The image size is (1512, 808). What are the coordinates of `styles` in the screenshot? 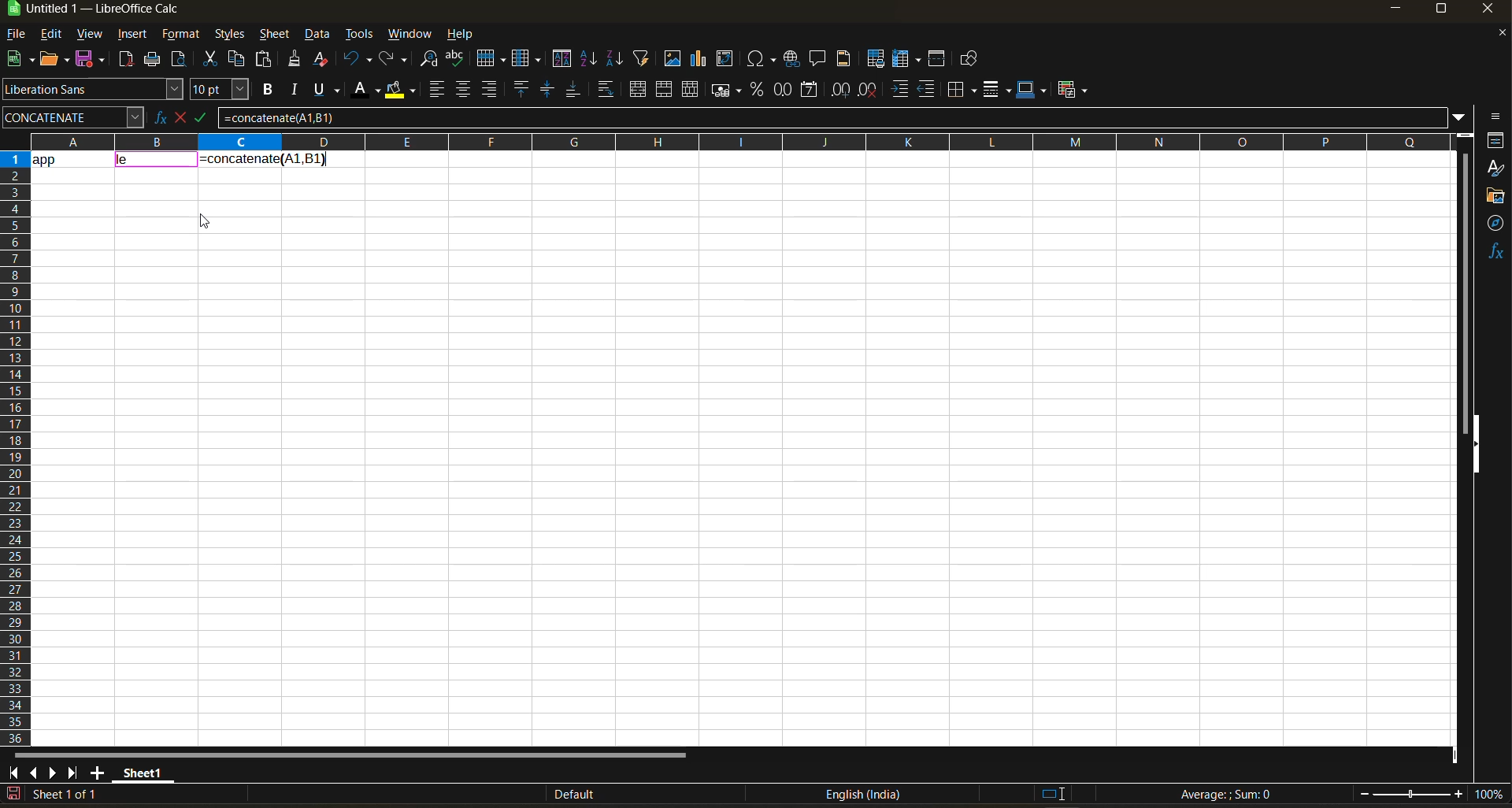 It's located at (228, 35).